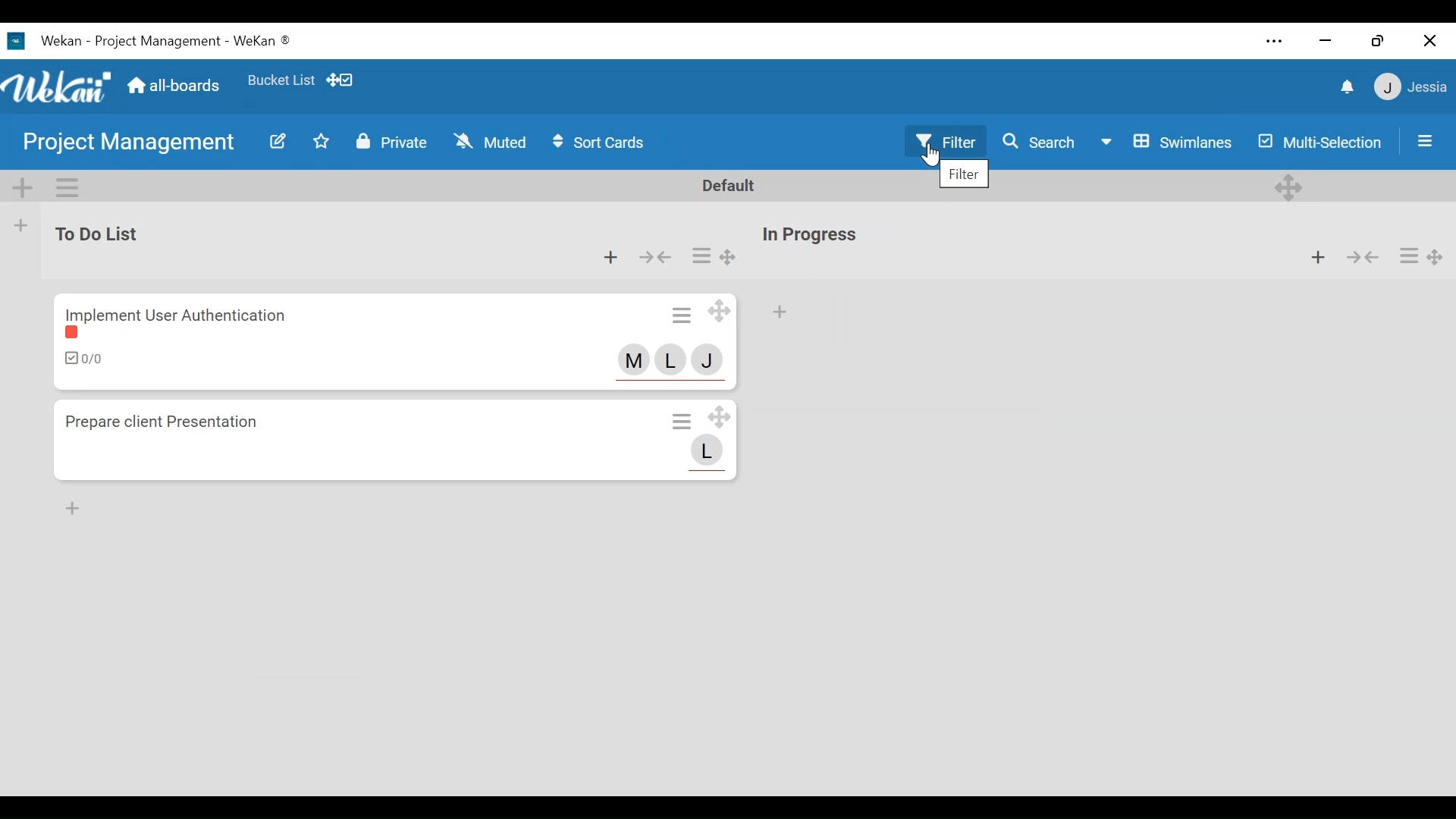 The image size is (1456, 819). What do you see at coordinates (176, 309) in the screenshot?
I see `Implement user authentication` at bounding box center [176, 309].